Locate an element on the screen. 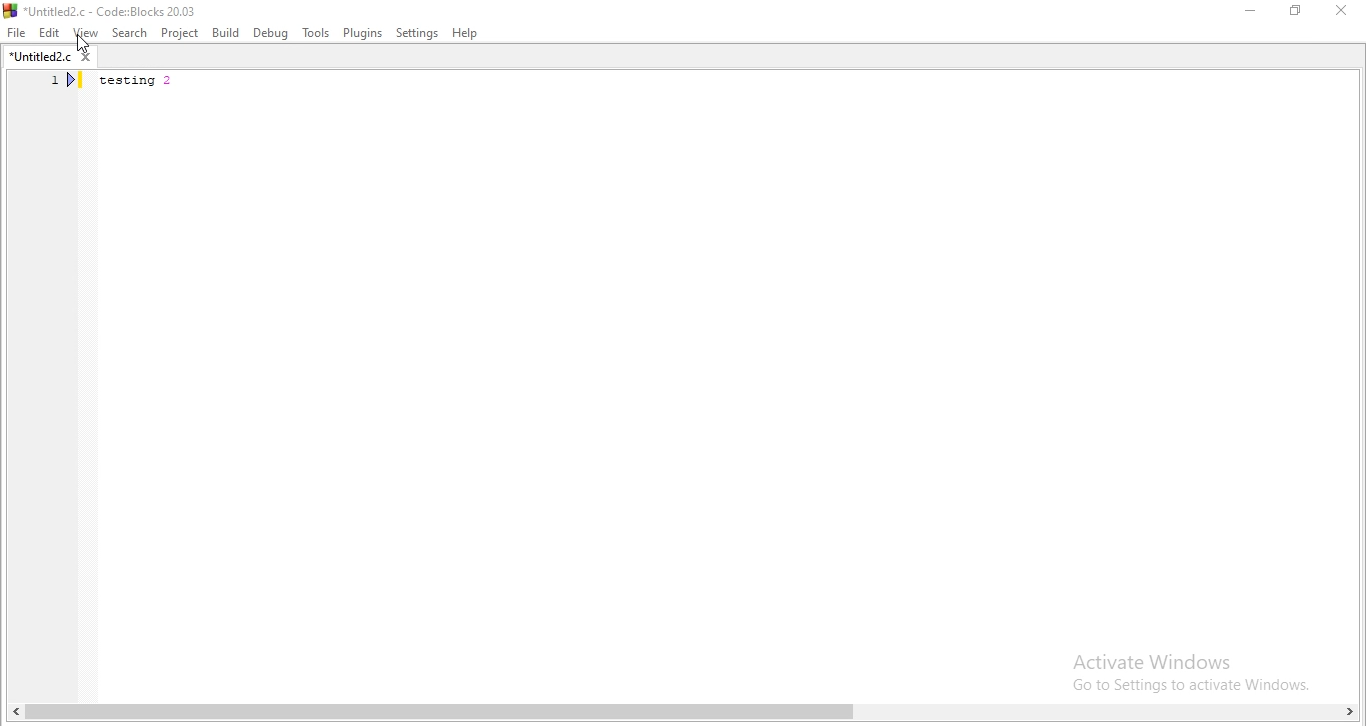  Edit  is located at coordinates (46, 33).